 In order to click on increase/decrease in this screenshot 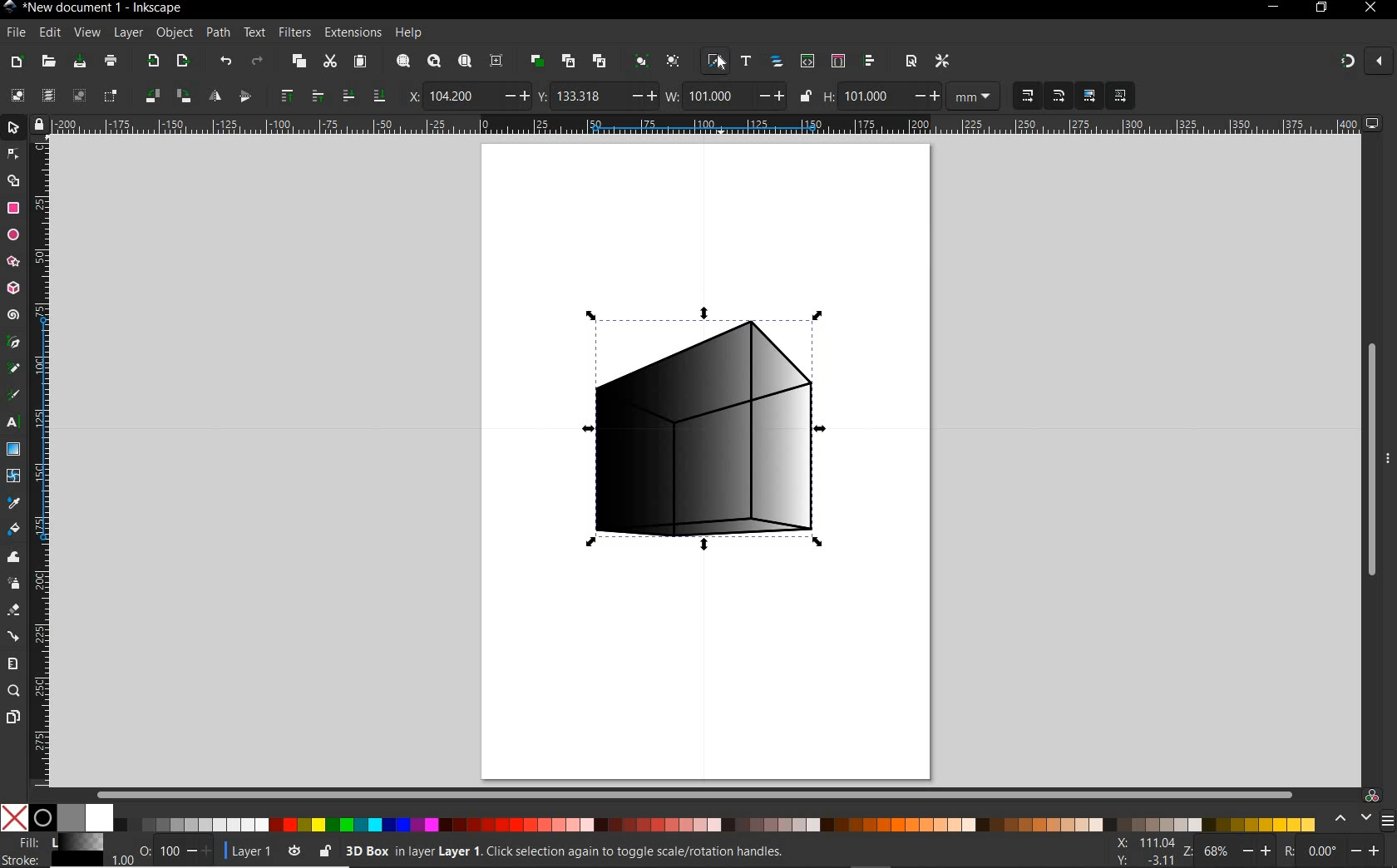, I will do `click(200, 851)`.